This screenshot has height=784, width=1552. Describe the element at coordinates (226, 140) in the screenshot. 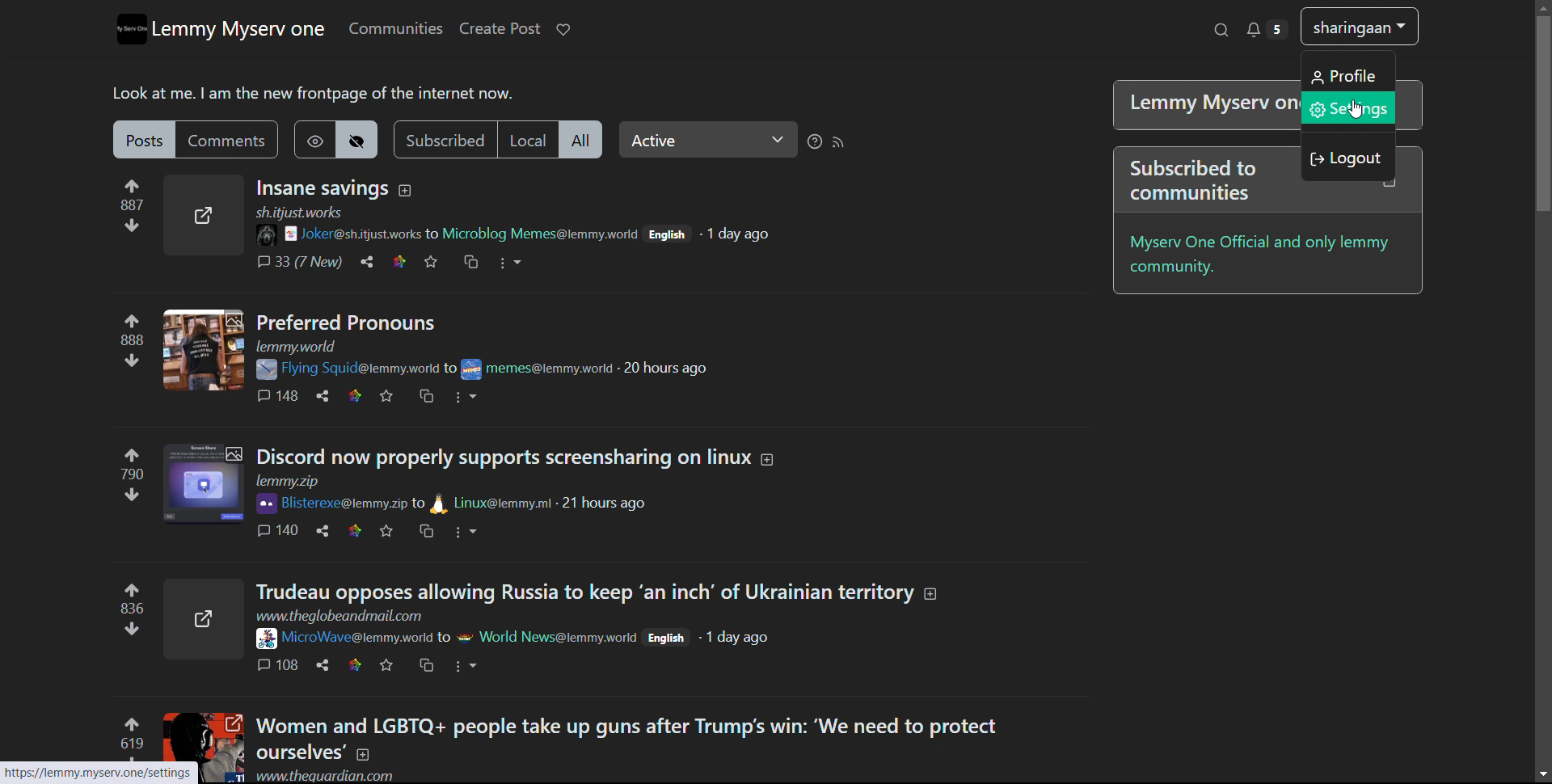

I see `comments` at that location.